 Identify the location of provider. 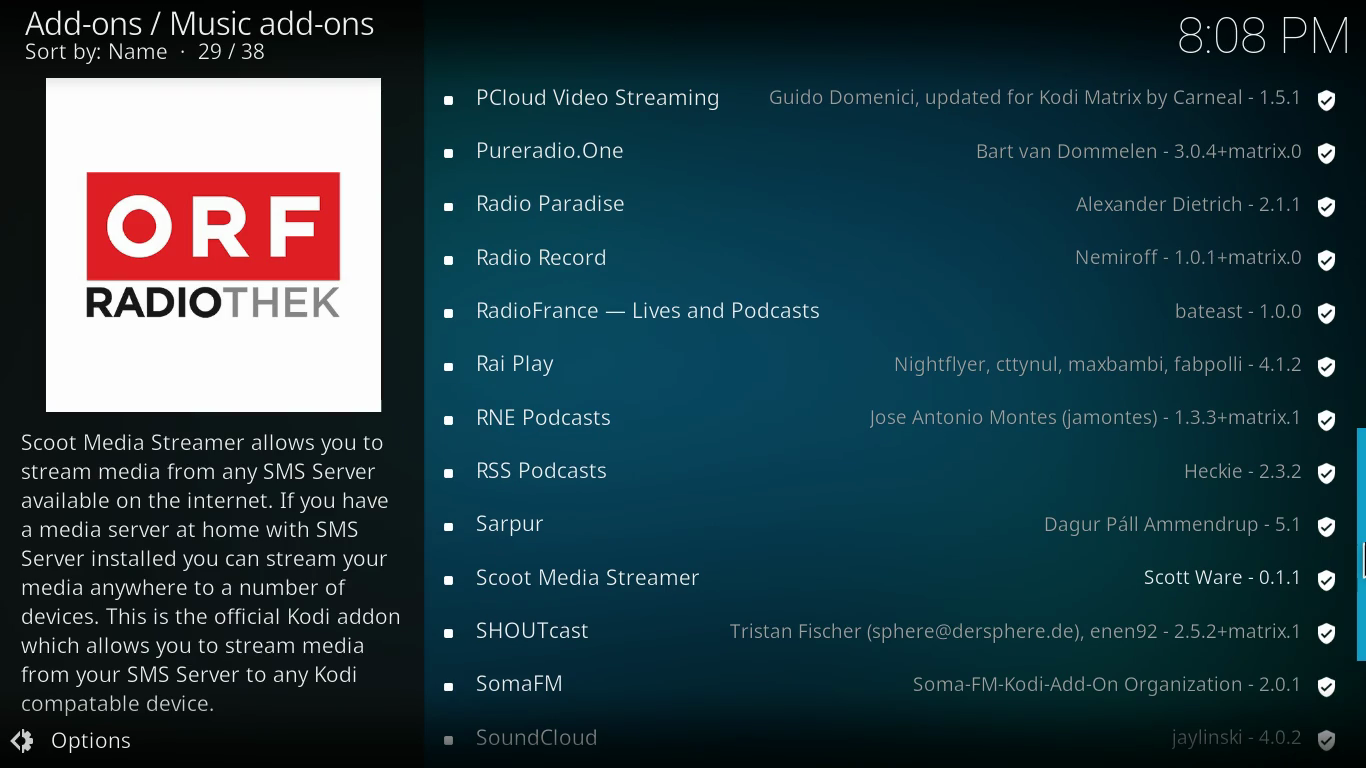
(1117, 681).